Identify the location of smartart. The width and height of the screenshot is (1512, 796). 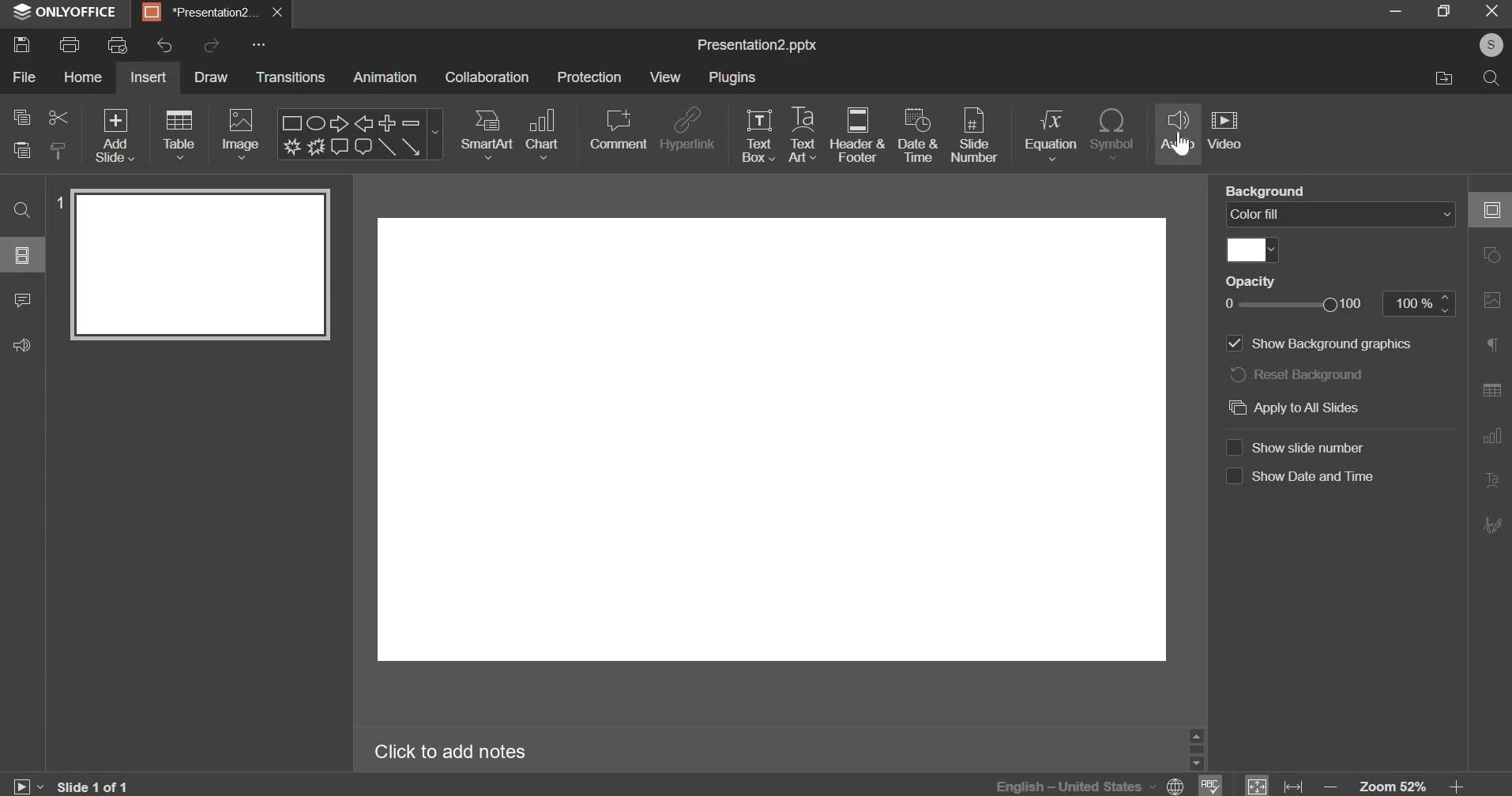
(487, 133).